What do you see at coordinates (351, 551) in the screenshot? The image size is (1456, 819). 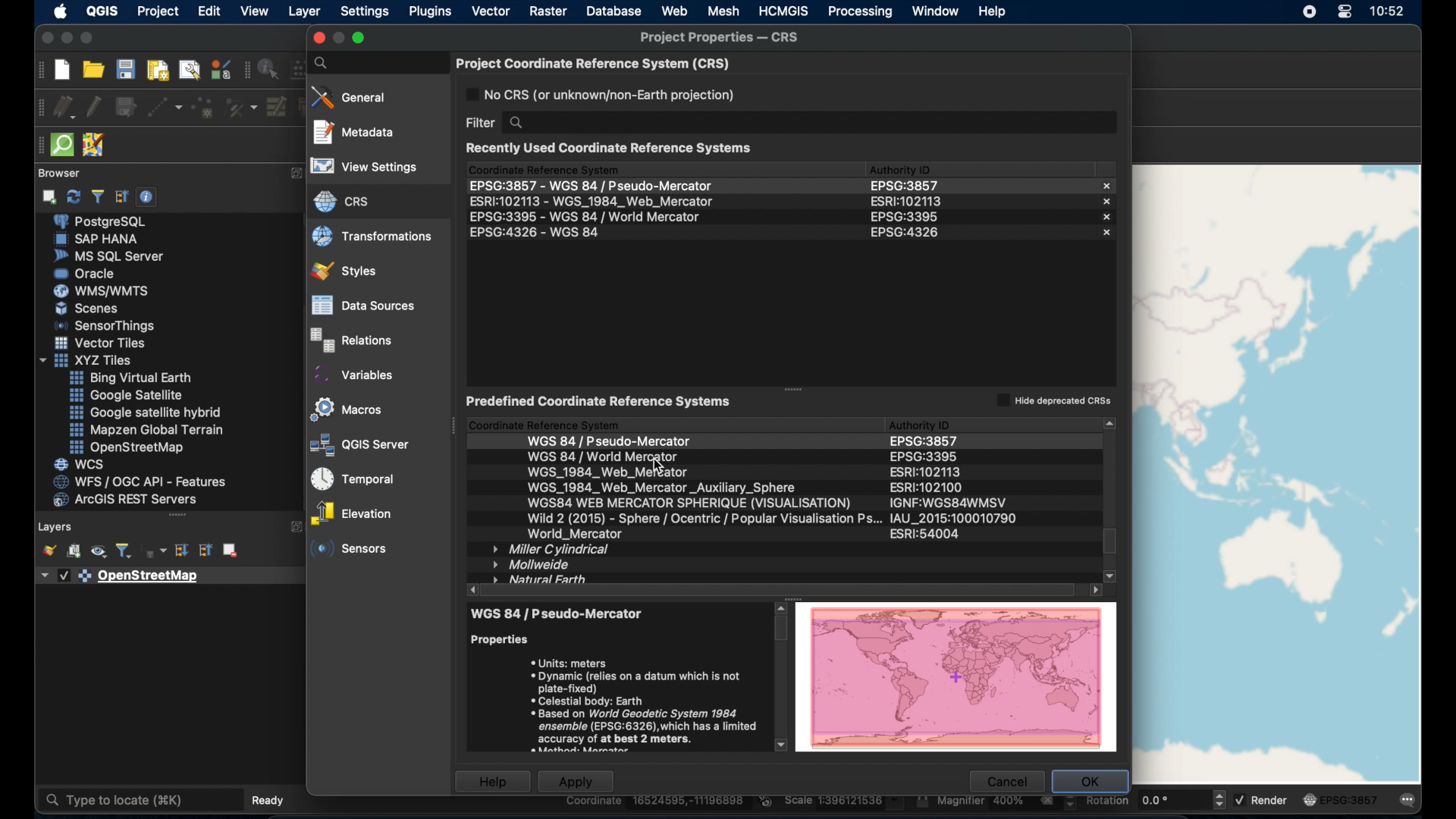 I see `sensors` at bounding box center [351, 551].